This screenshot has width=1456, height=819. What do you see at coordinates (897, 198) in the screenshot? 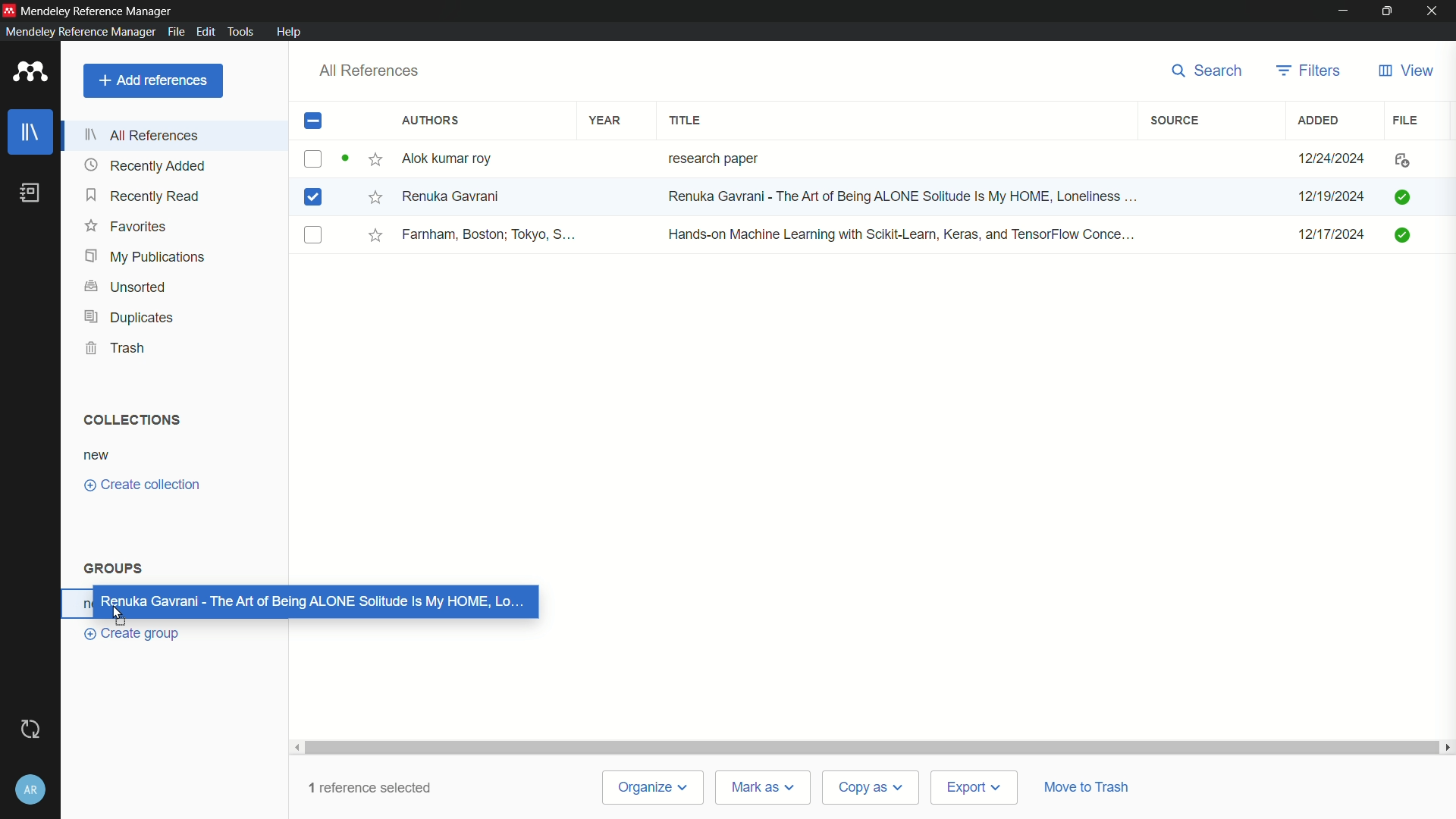
I see `Renuka gavrani - The Artn of...` at bounding box center [897, 198].